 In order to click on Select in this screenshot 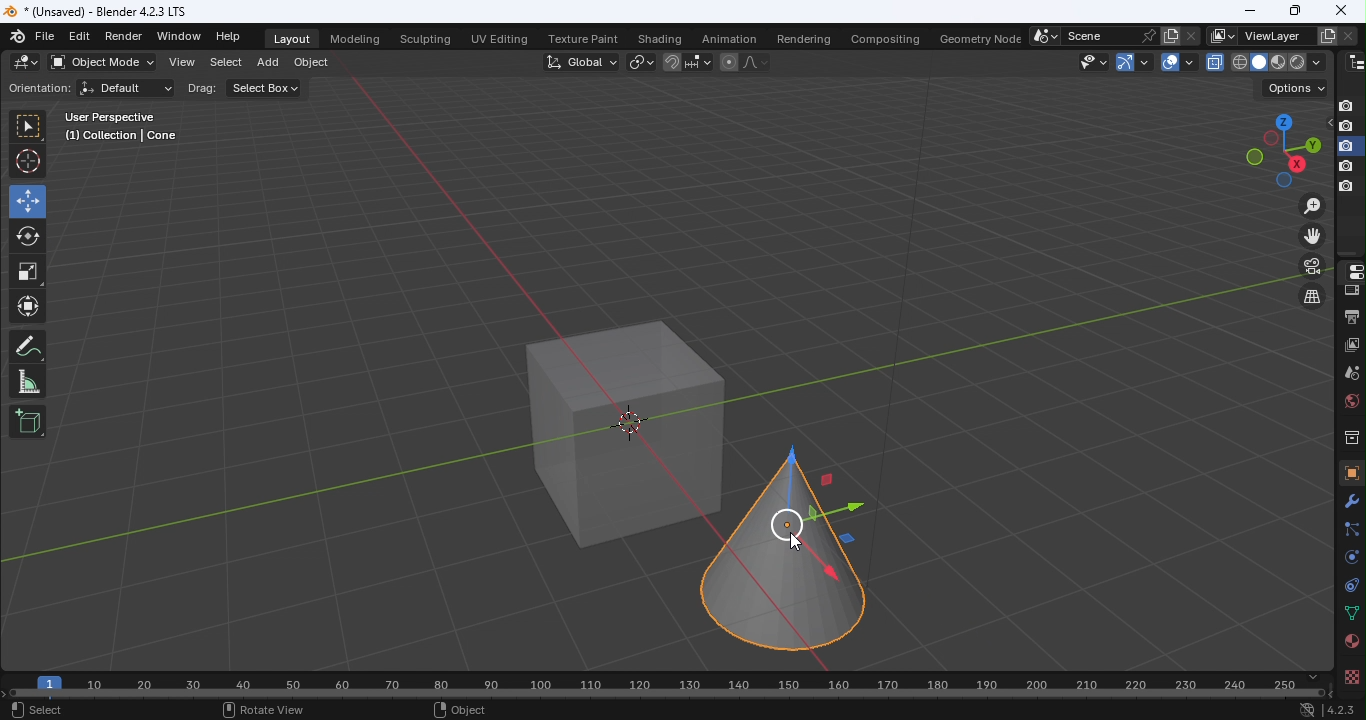, I will do `click(222, 65)`.